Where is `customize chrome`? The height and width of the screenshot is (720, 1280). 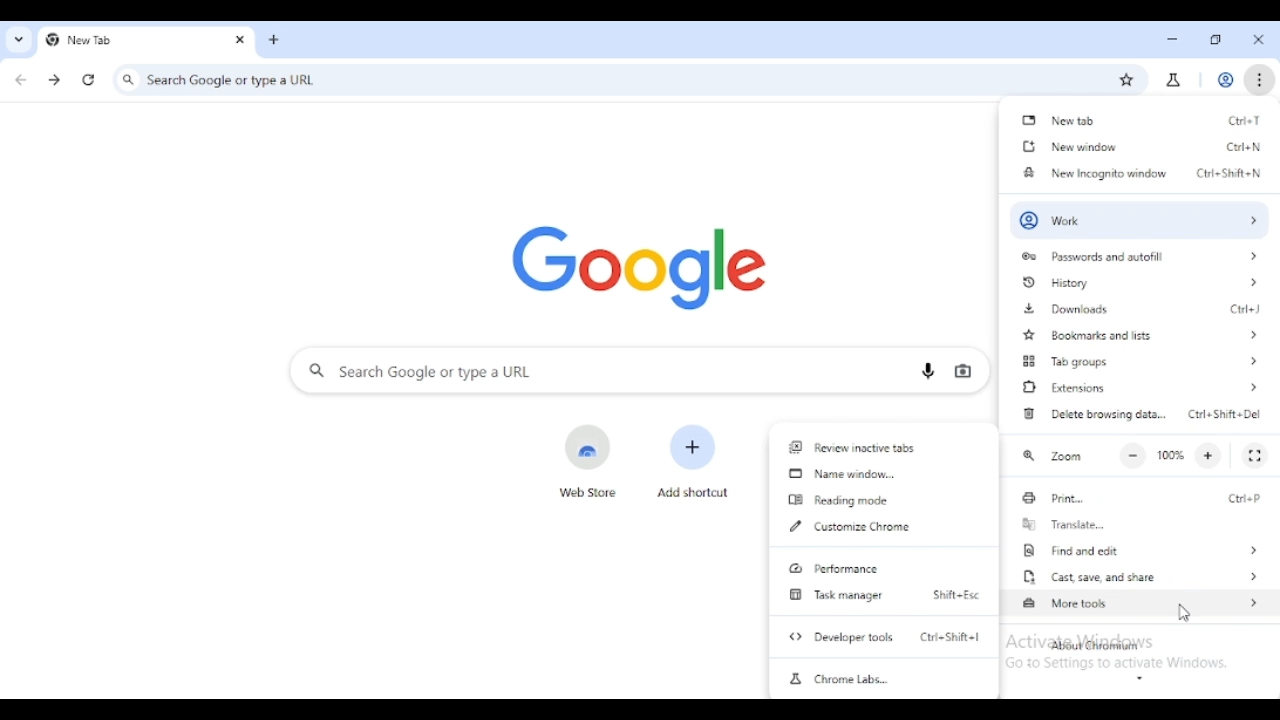
customize chrome is located at coordinates (846, 526).